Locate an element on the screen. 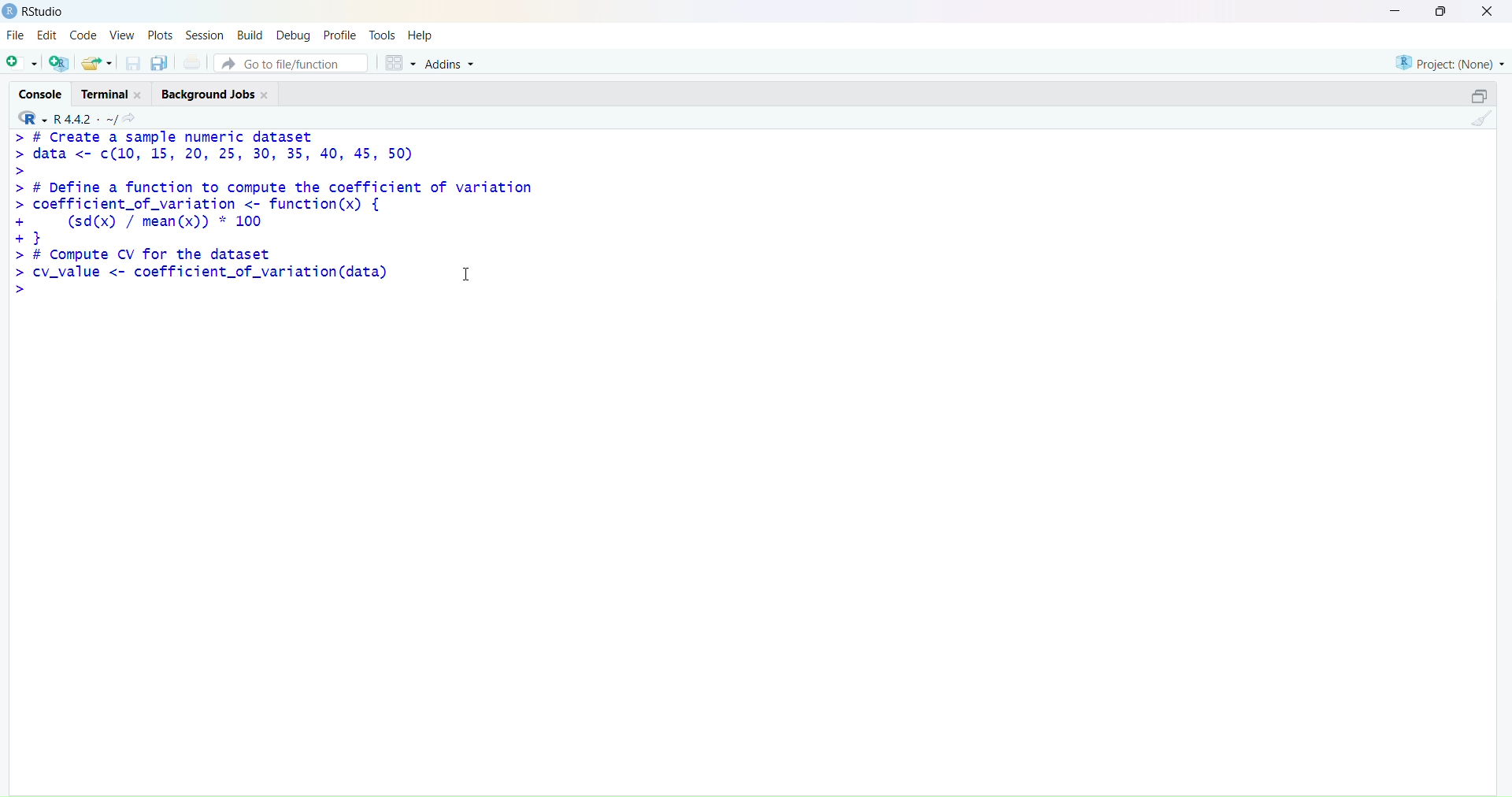  view is located at coordinates (122, 35).